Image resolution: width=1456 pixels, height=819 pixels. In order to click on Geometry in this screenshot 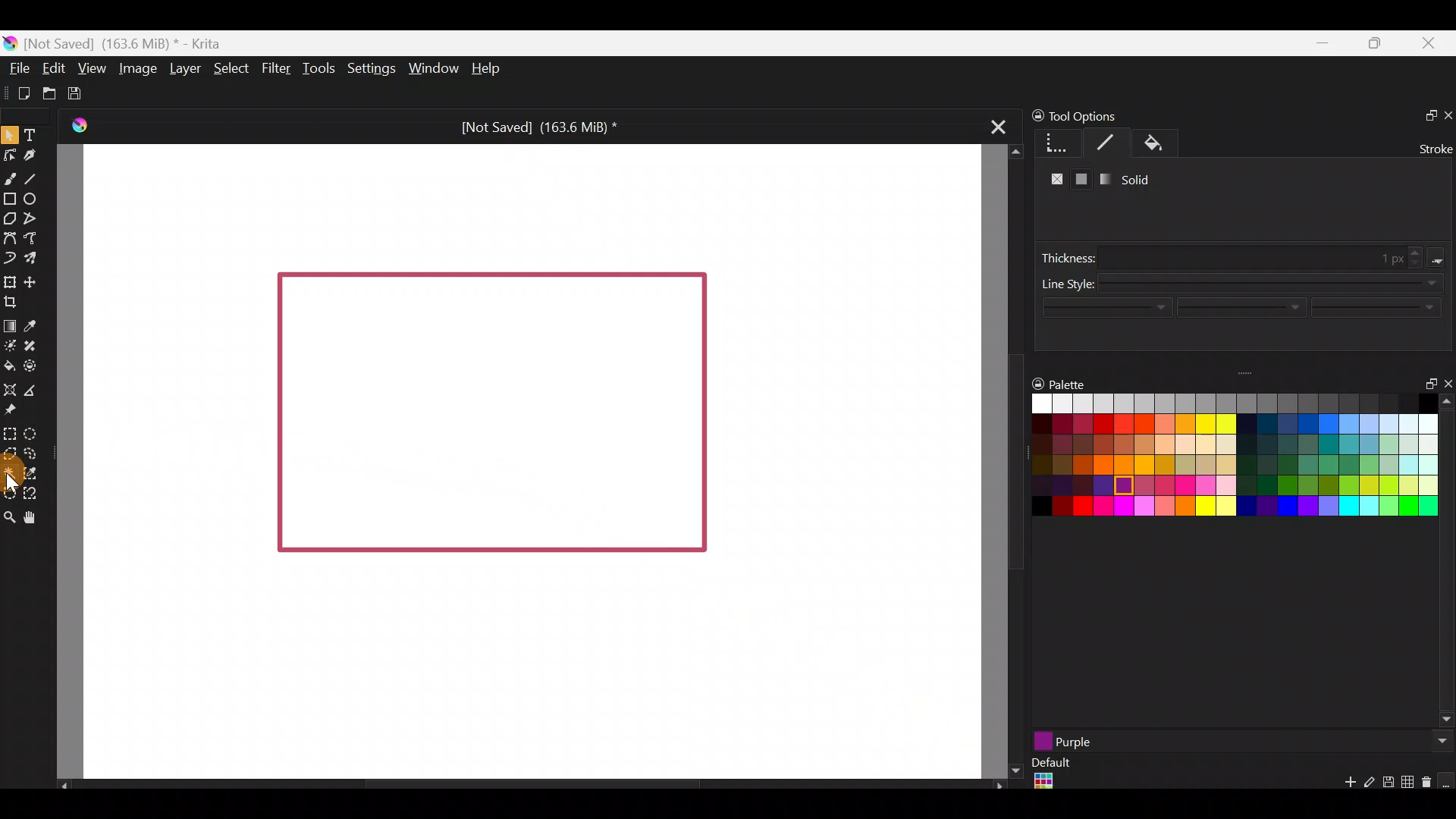, I will do `click(1052, 142)`.